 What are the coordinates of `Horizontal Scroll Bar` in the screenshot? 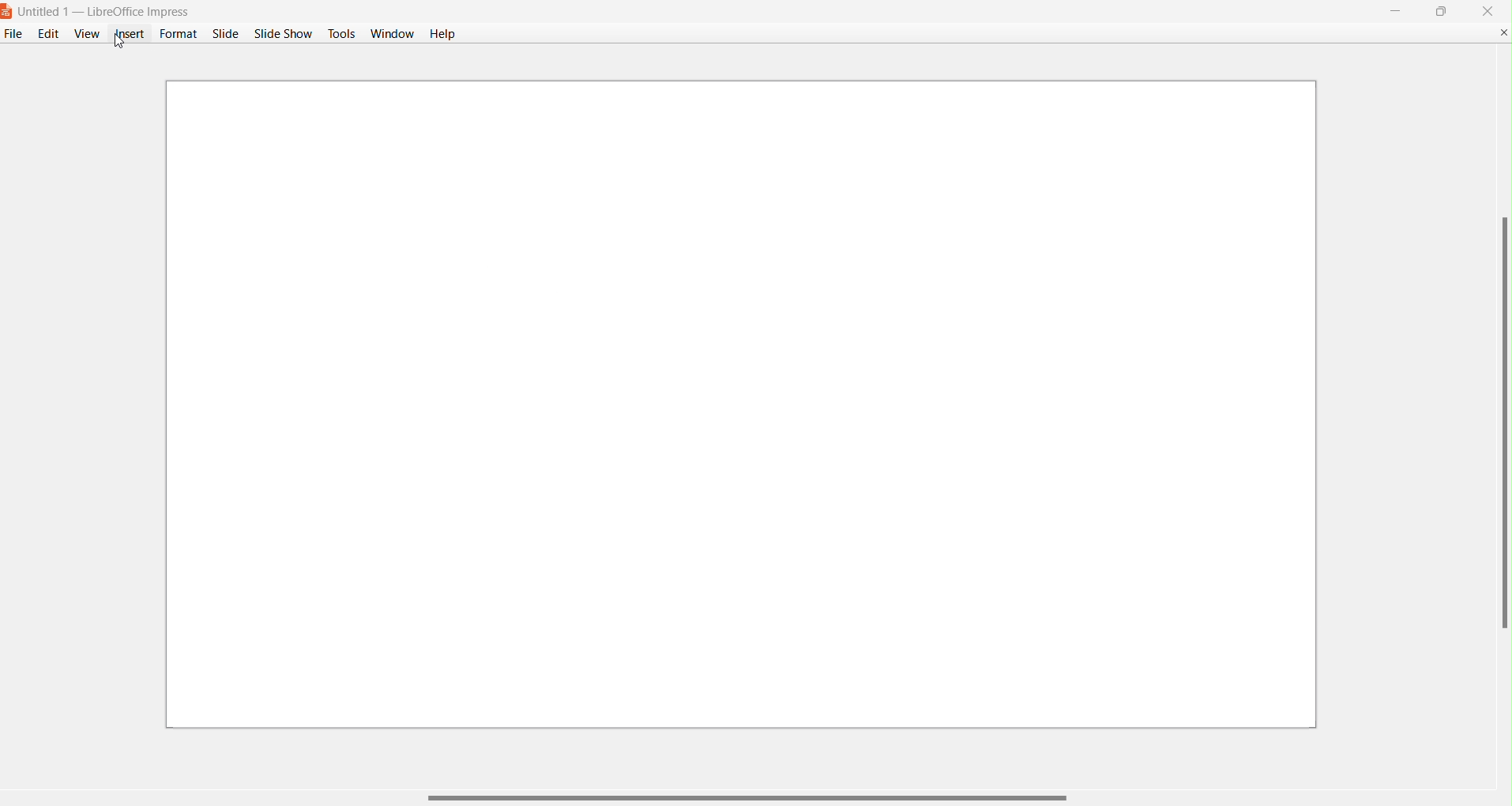 It's located at (739, 797).